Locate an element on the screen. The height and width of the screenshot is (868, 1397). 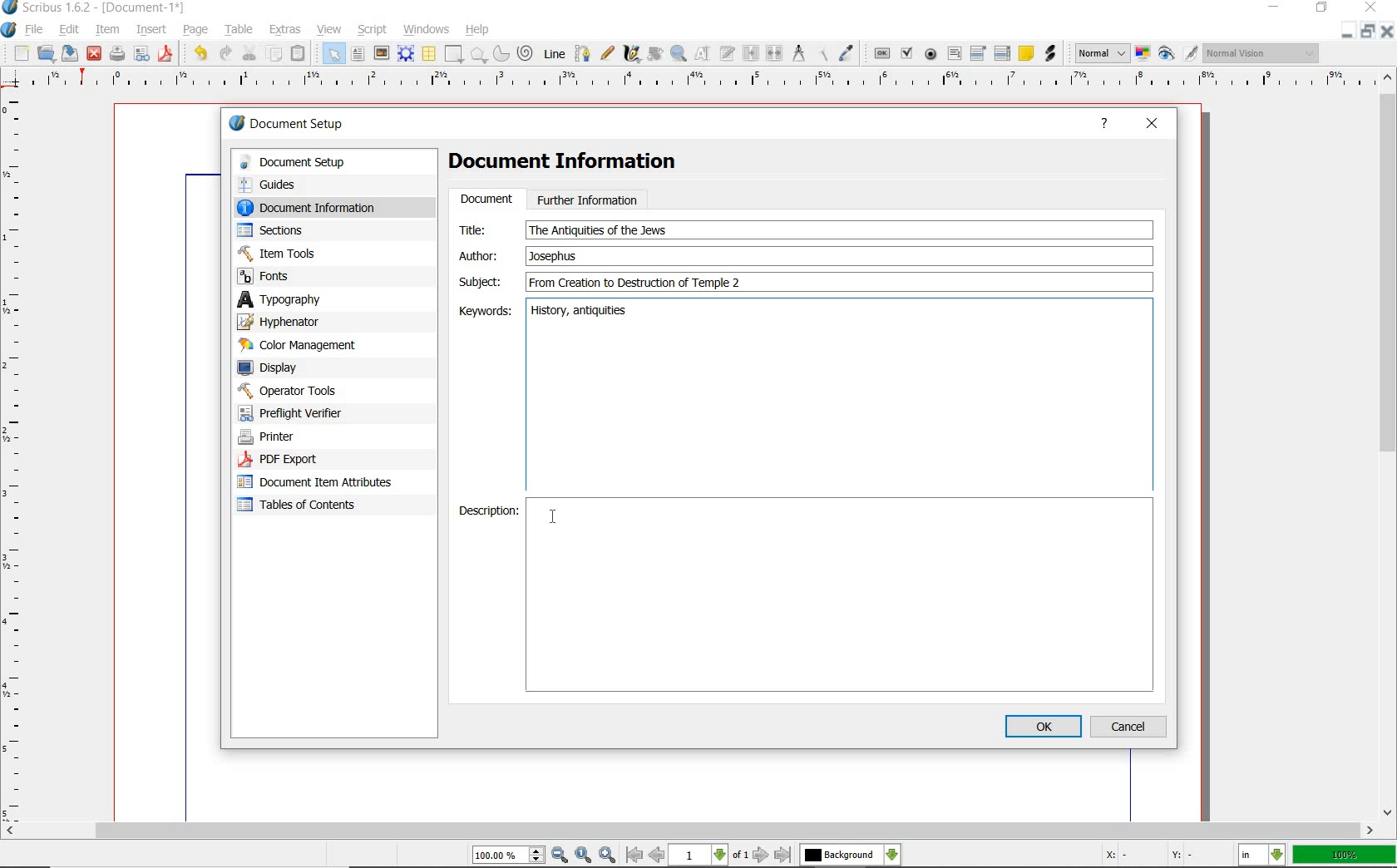
select is located at coordinates (335, 53).